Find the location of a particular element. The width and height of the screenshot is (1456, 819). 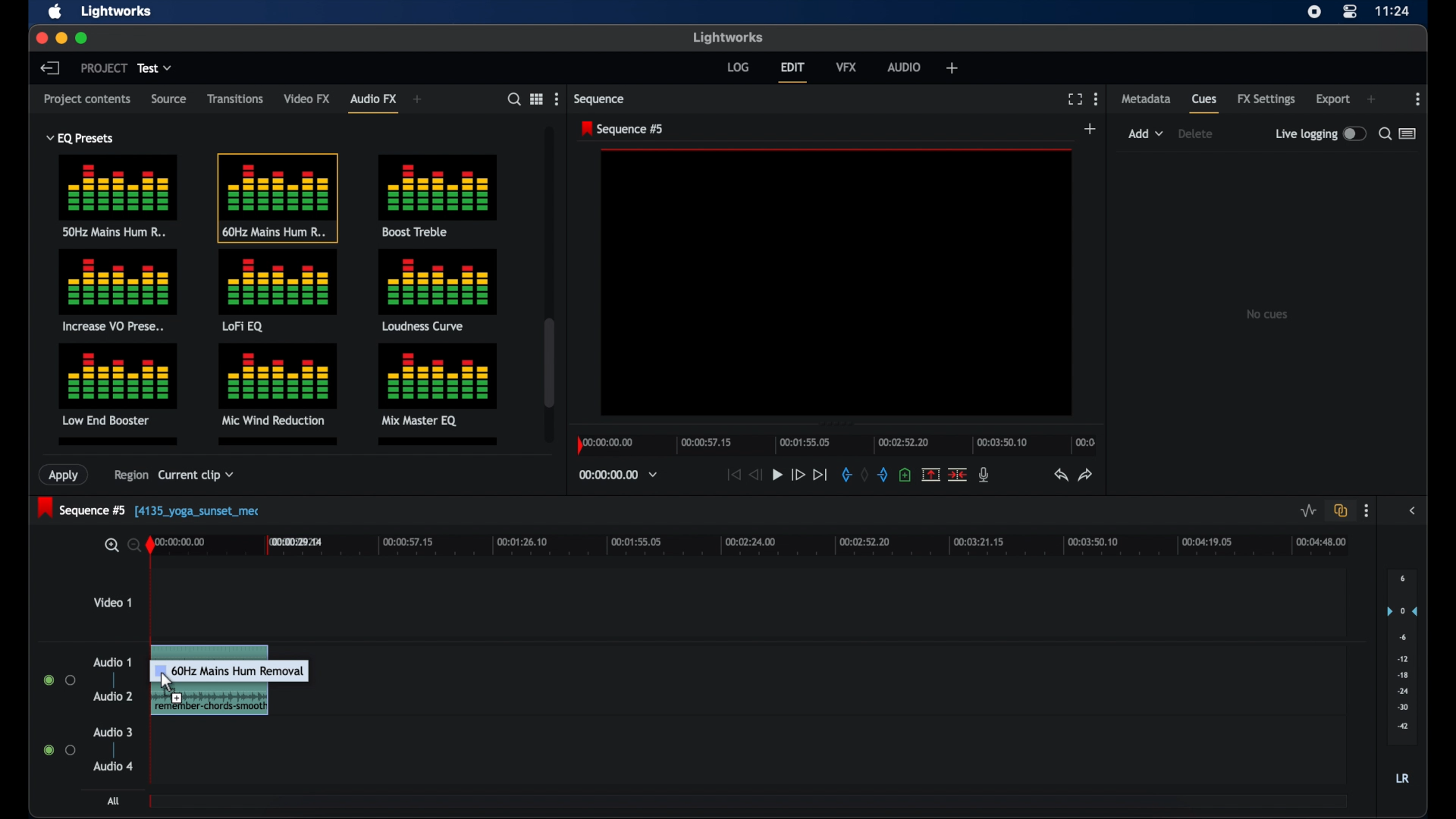

audio 2 is located at coordinates (113, 695).